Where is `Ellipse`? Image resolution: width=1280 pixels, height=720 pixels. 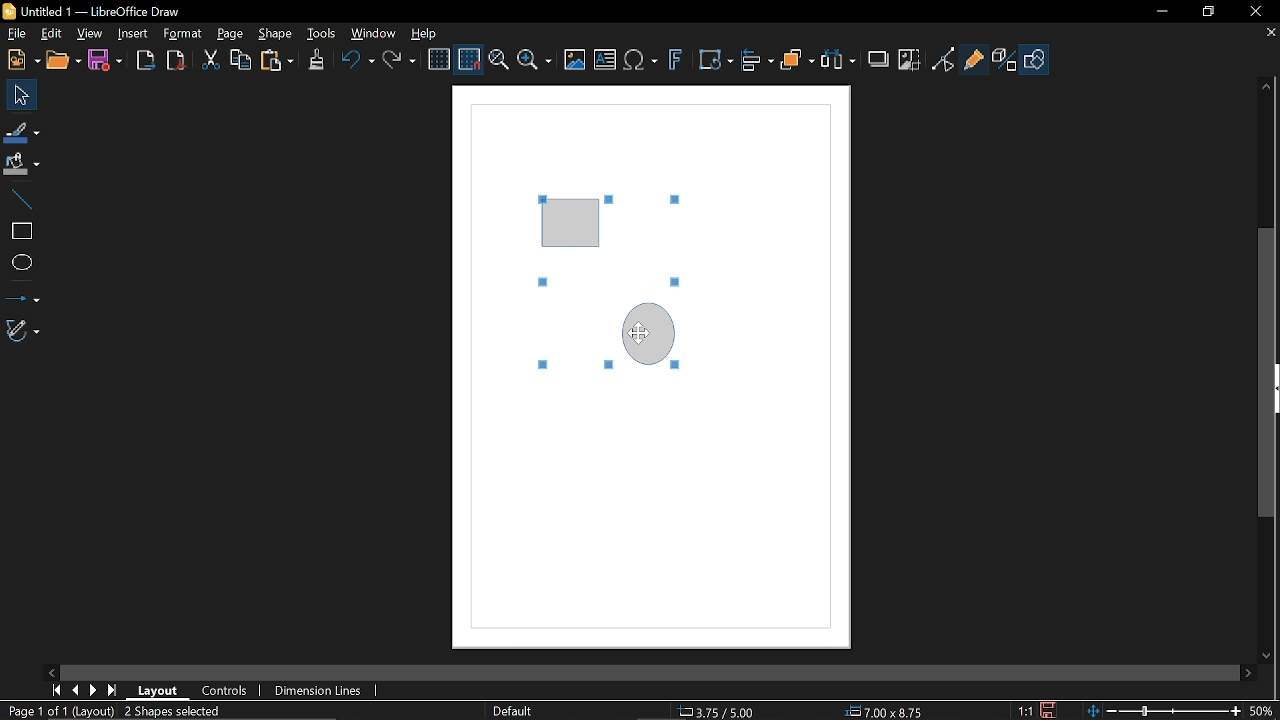
Ellipse is located at coordinates (19, 262).